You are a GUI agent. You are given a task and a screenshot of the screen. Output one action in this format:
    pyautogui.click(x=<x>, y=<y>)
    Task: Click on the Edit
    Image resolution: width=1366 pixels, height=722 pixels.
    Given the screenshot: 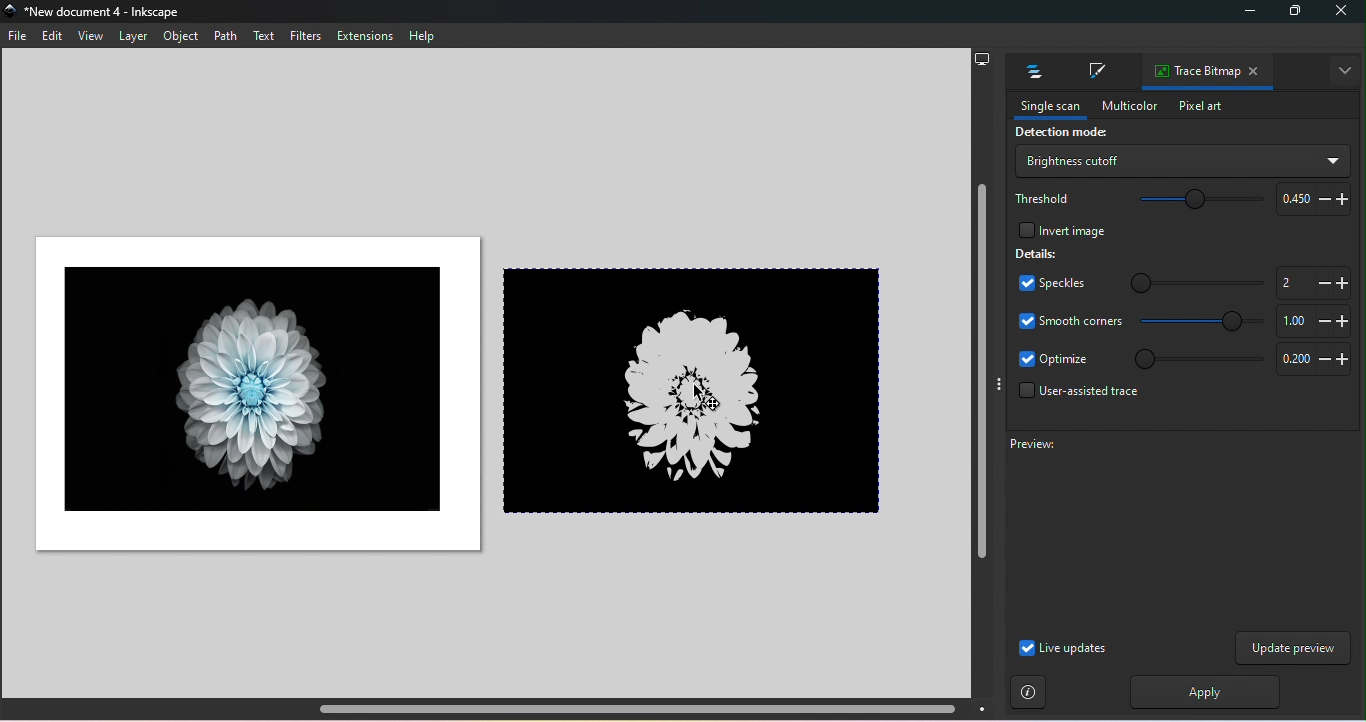 What is the action you would take?
    pyautogui.click(x=51, y=37)
    